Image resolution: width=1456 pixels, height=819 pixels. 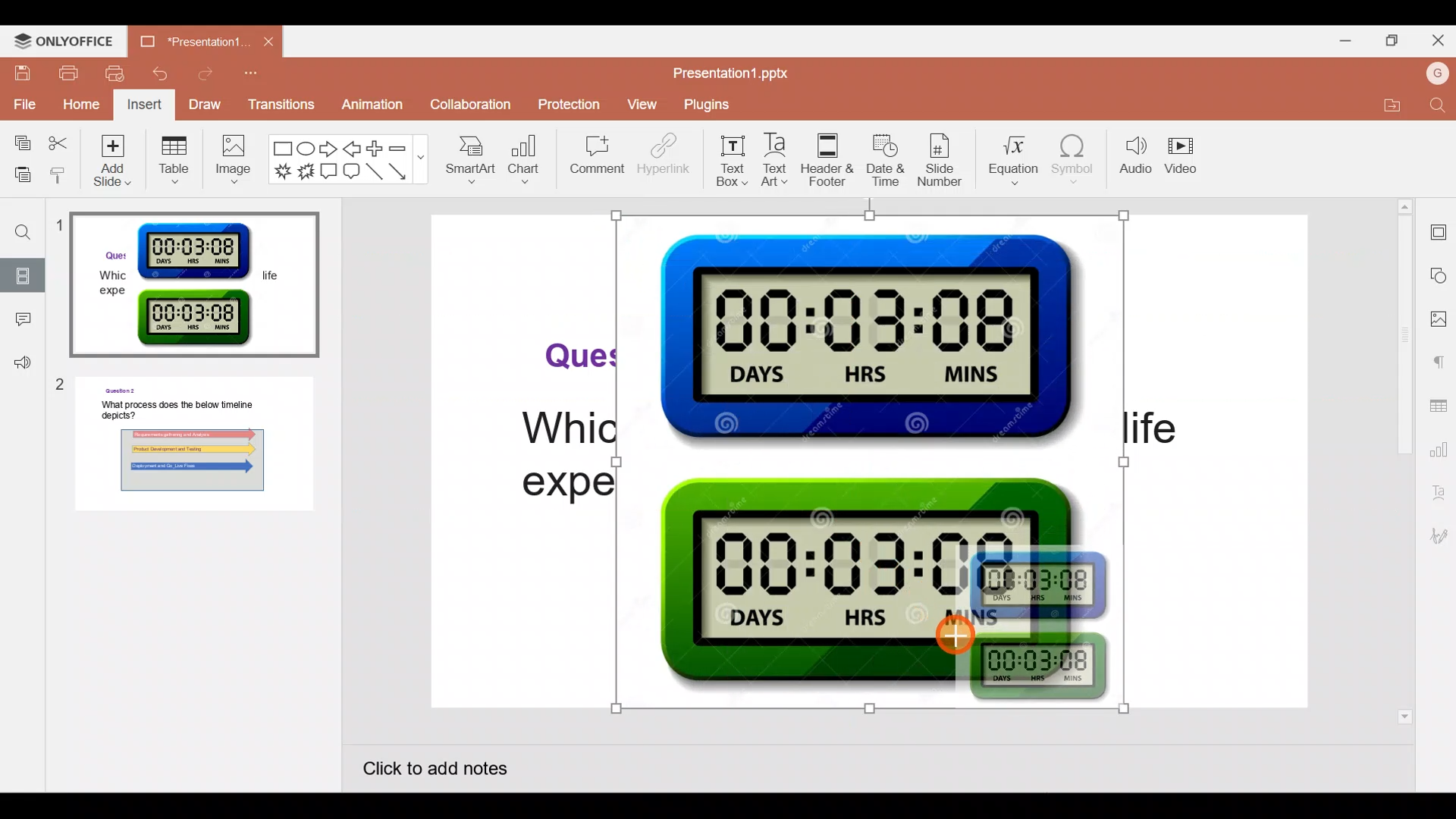 I want to click on Collaboration, so click(x=464, y=104).